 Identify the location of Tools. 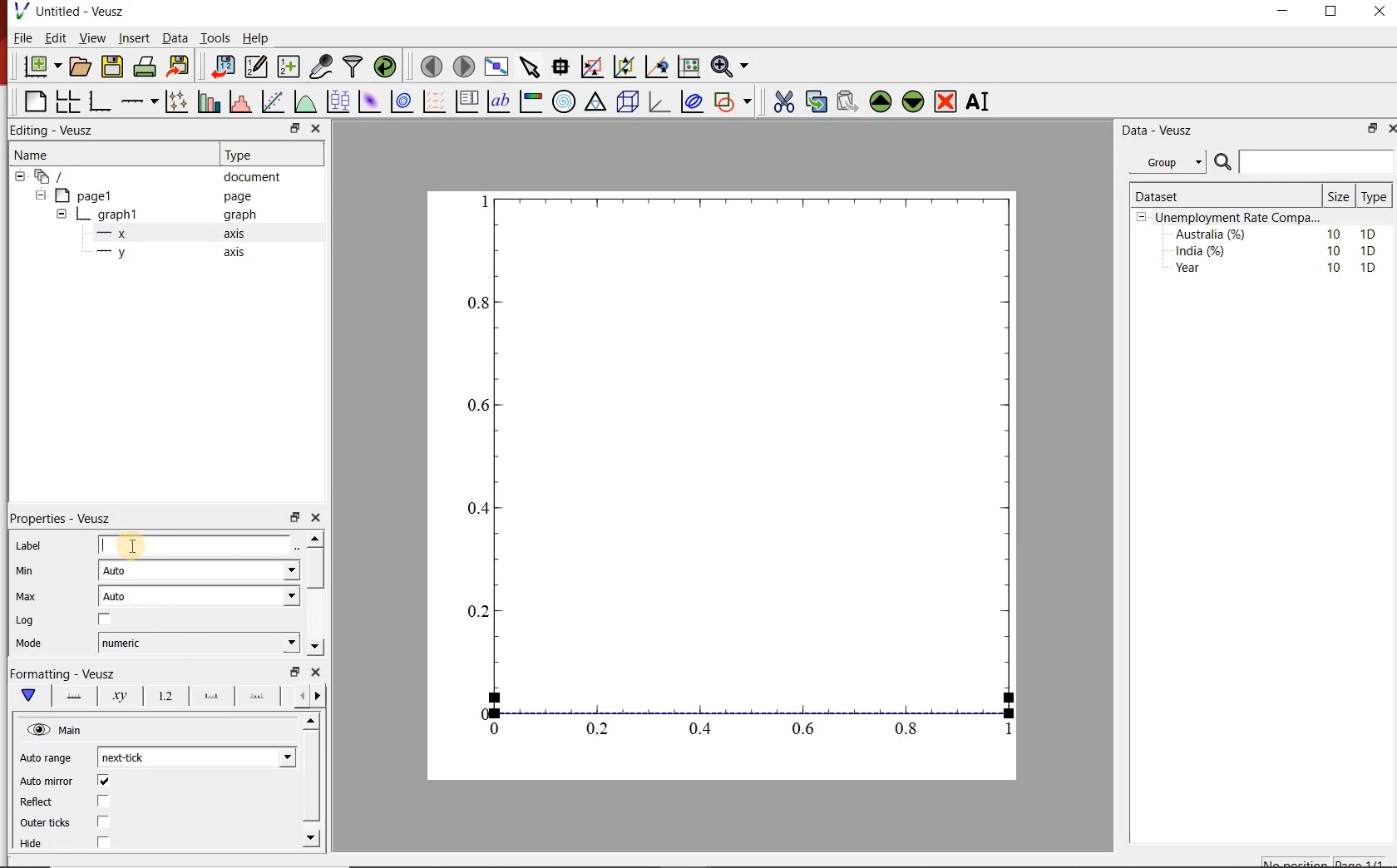
(216, 37).